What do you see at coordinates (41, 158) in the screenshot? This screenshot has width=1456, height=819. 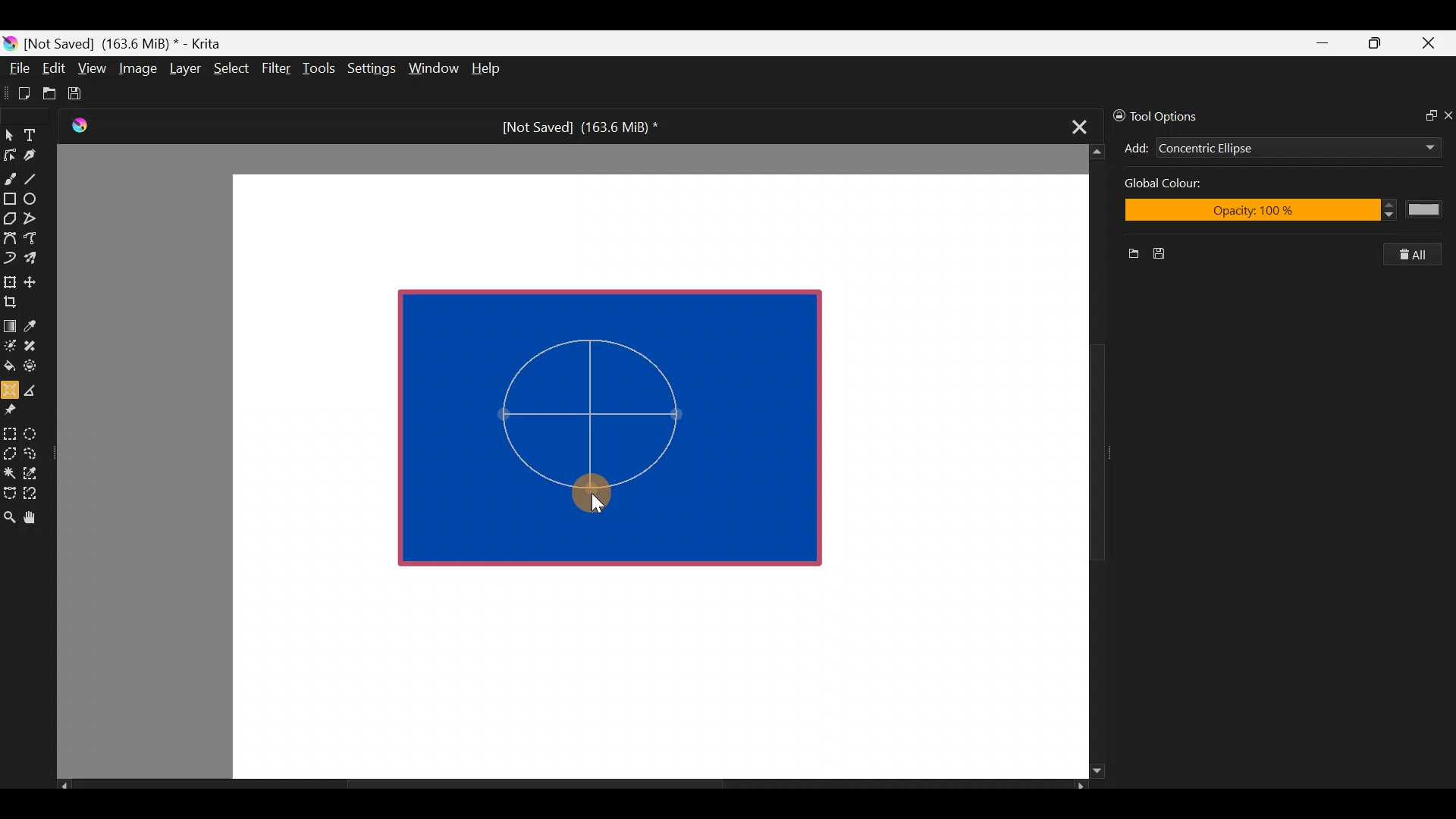 I see `Calligraphy` at bounding box center [41, 158].